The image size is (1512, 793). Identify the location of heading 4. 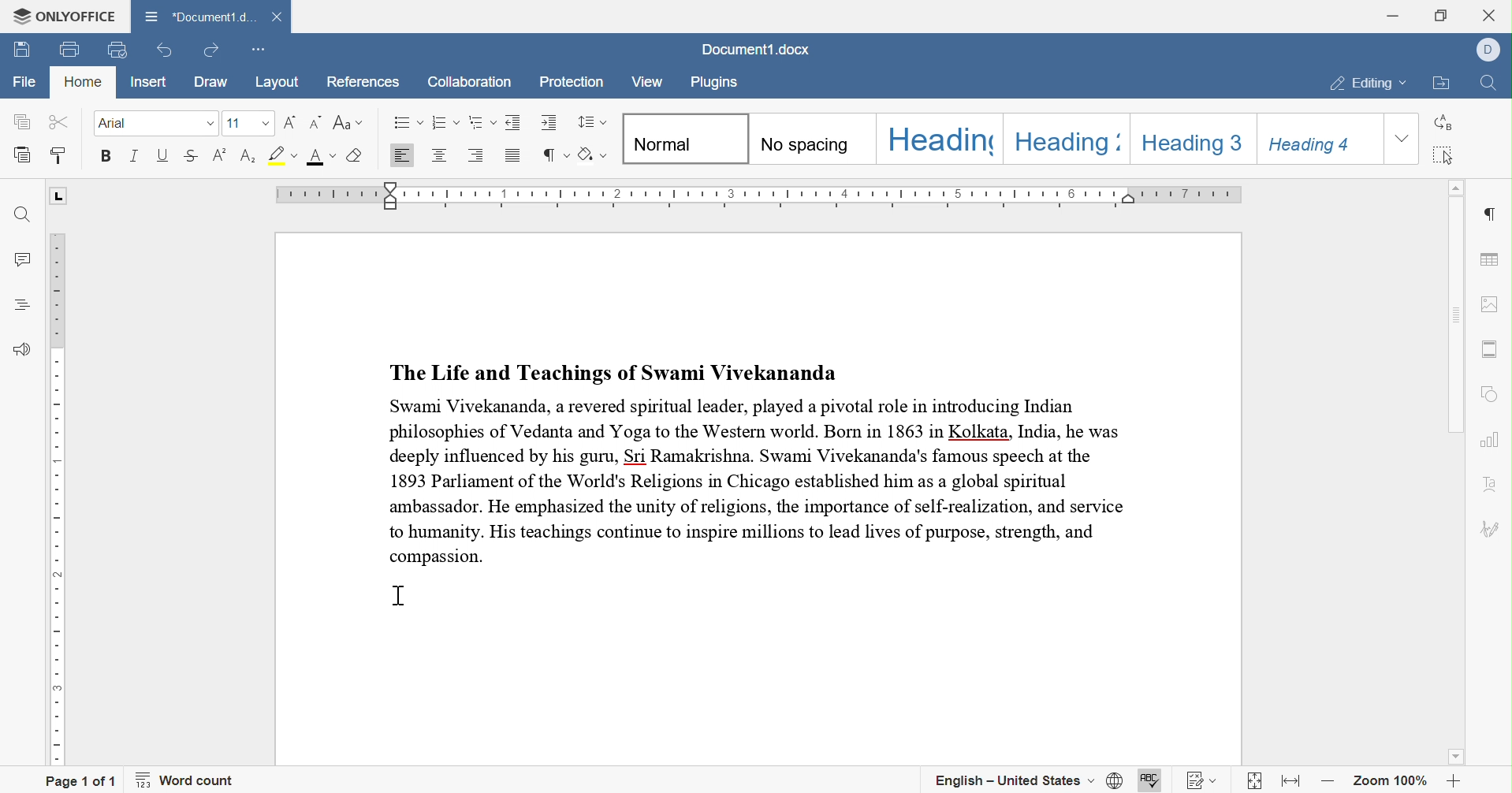
(1319, 140).